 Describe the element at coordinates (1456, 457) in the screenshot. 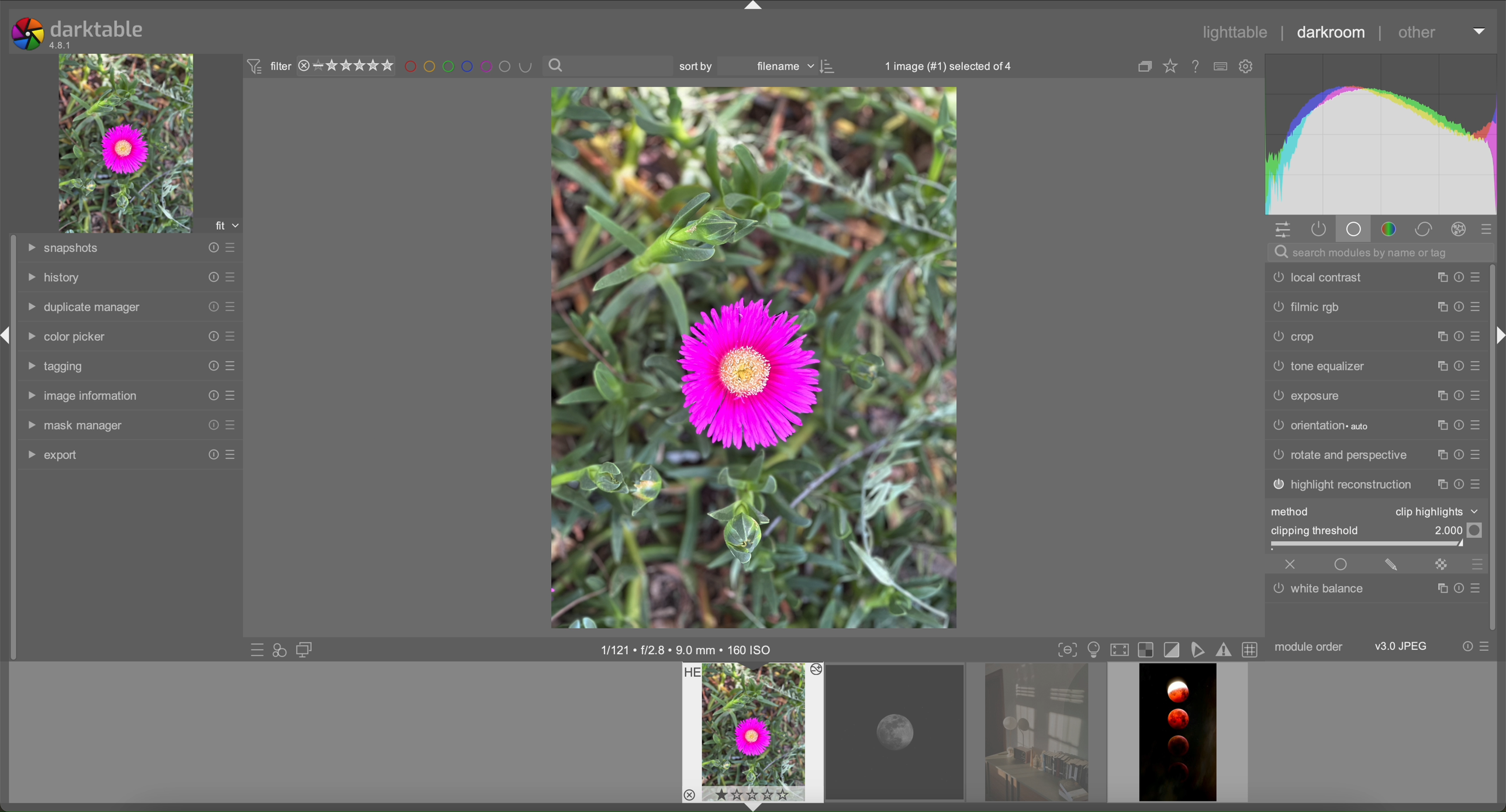

I see `reset presets` at that location.